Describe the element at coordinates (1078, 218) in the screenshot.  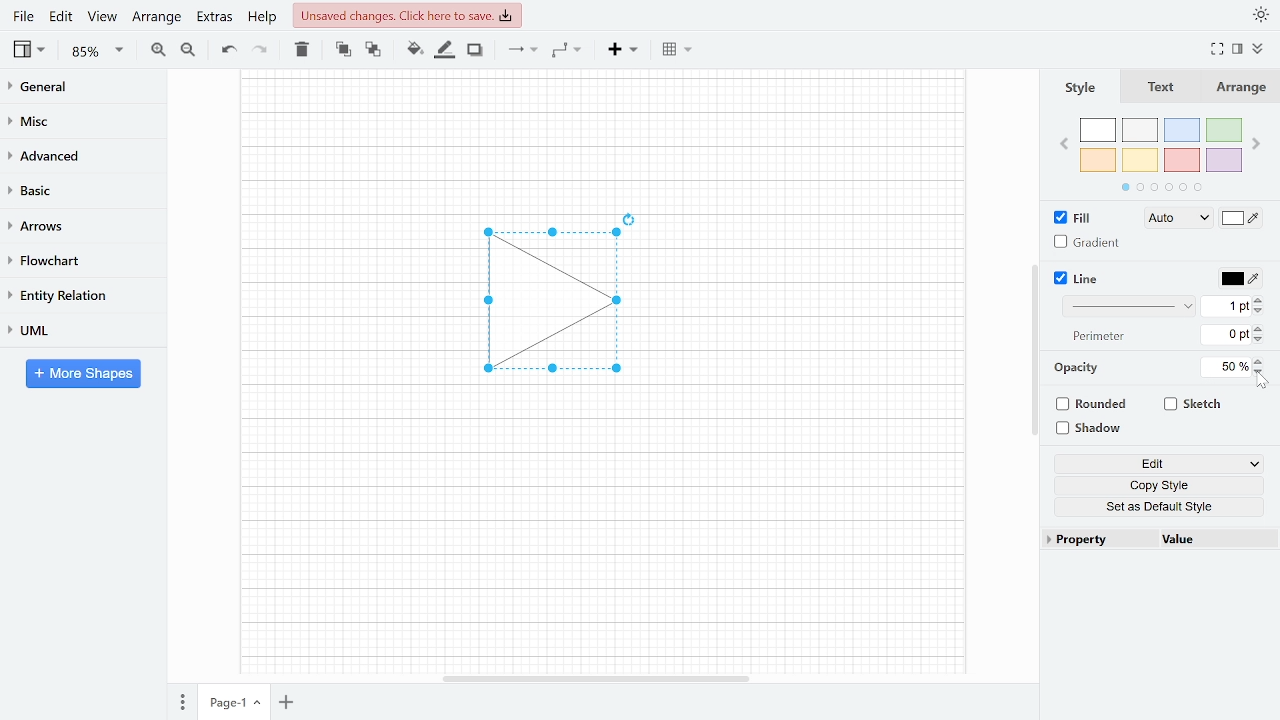
I see `Fill` at that location.